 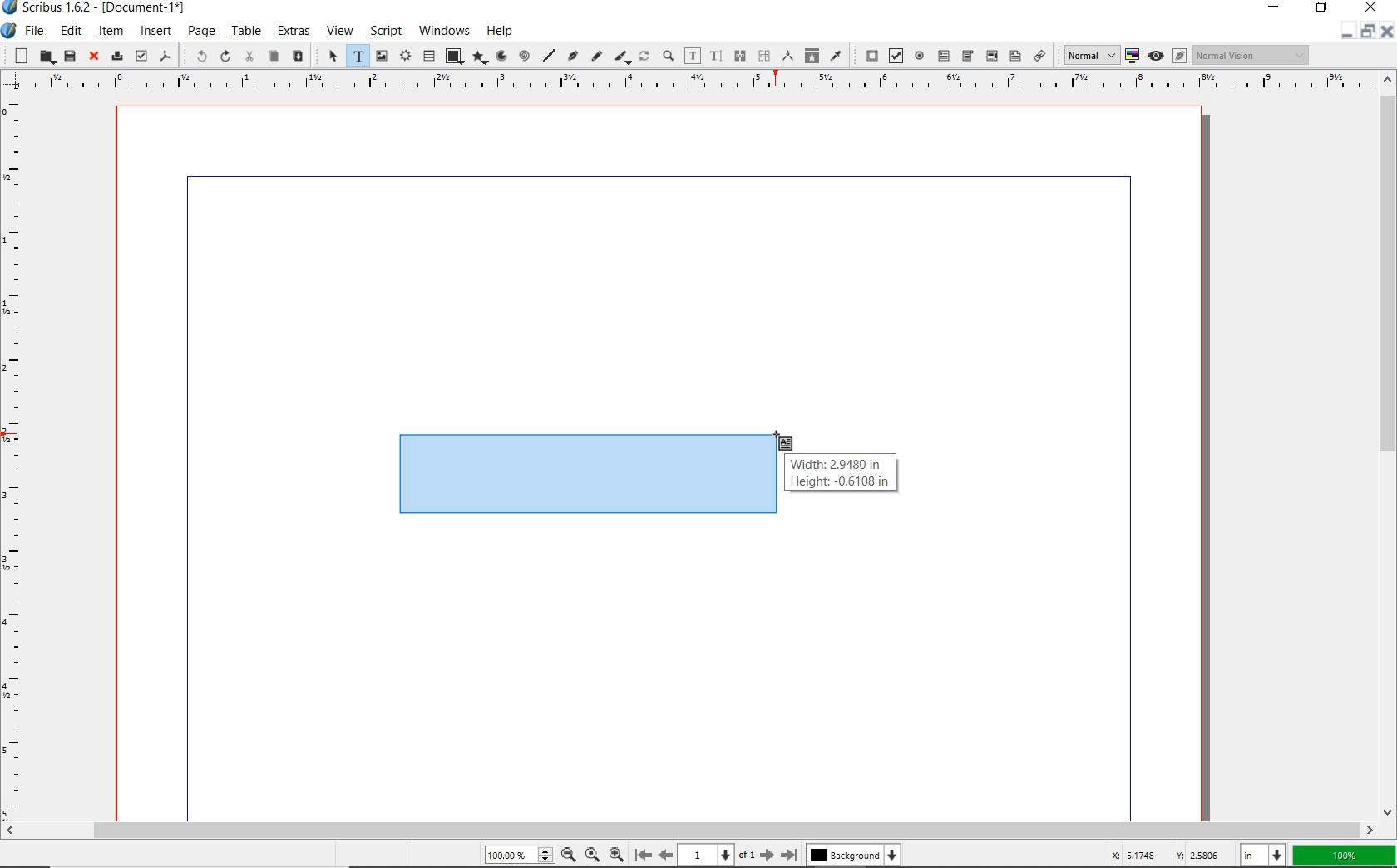 What do you see at coordinates (331, 57) in the screenshot?
I see `select item` at bounding box center [331, 57].